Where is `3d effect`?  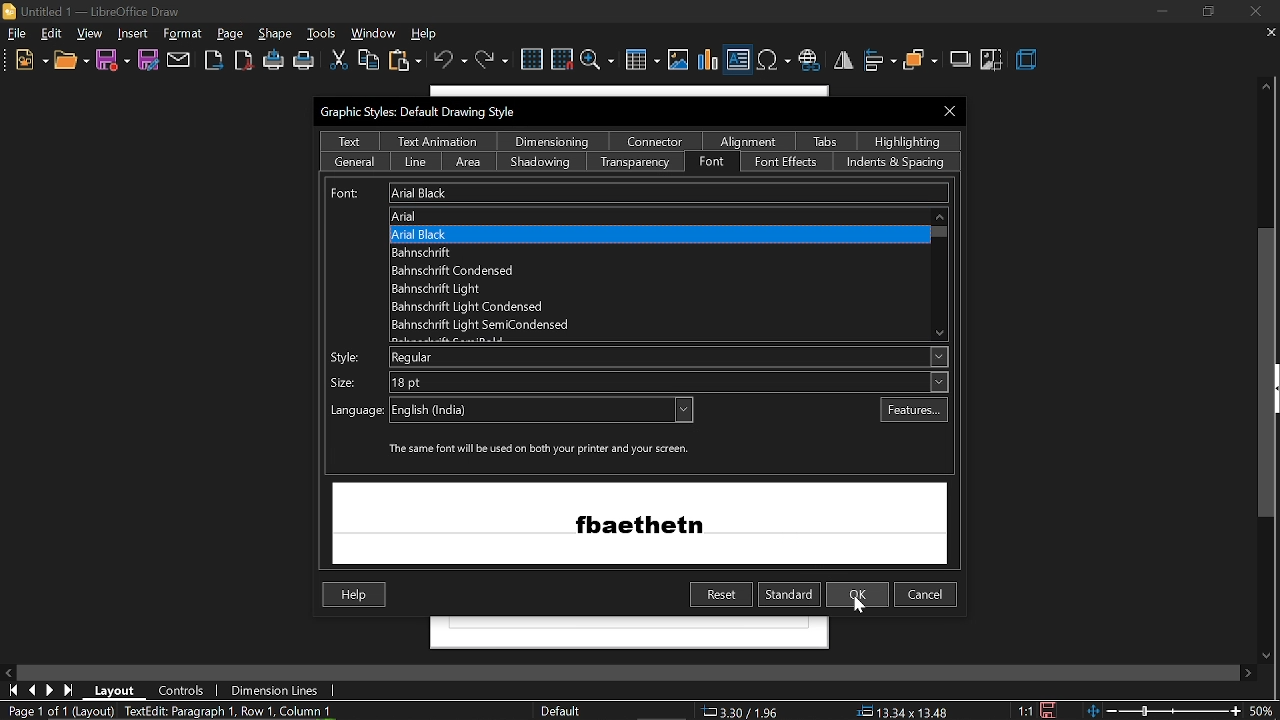 3d effect is located at coordinates (1028, 61).